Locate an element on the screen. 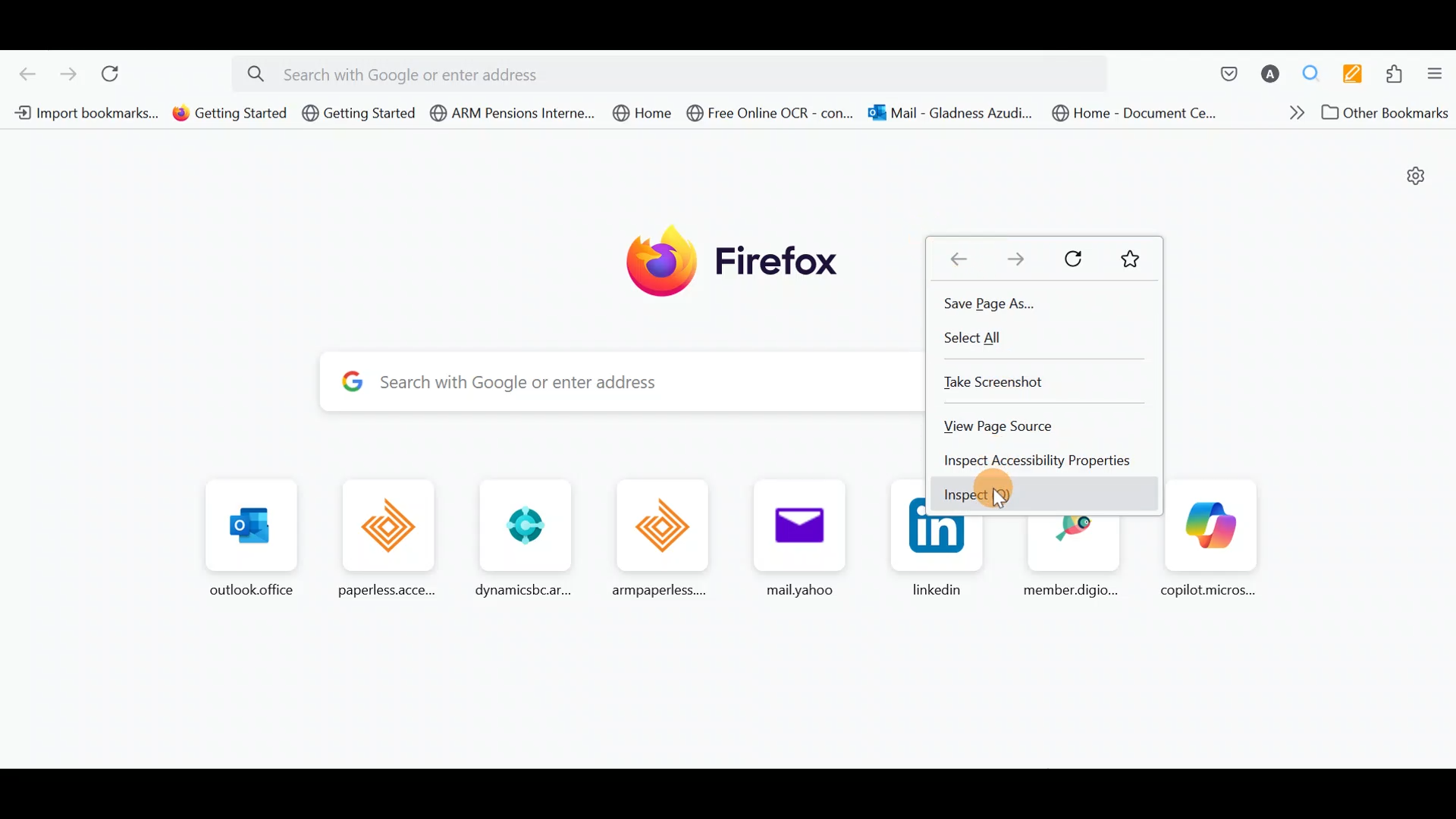  member.digi.. is located at coordinates (1076, 557).